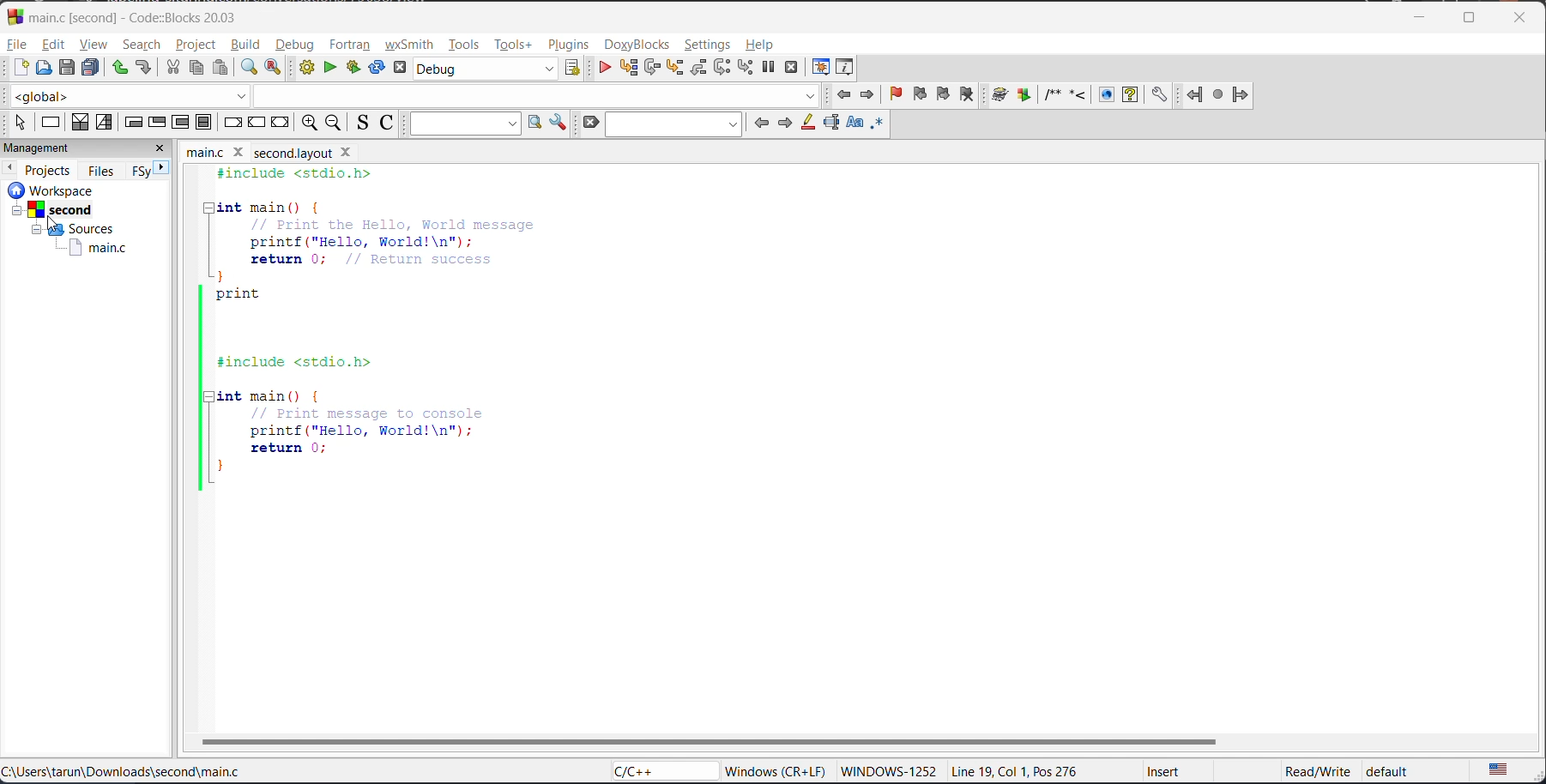  What do you see at coordinates (709, 46) in the screenshot?
I see `settings` at bounding box center [709, 46].